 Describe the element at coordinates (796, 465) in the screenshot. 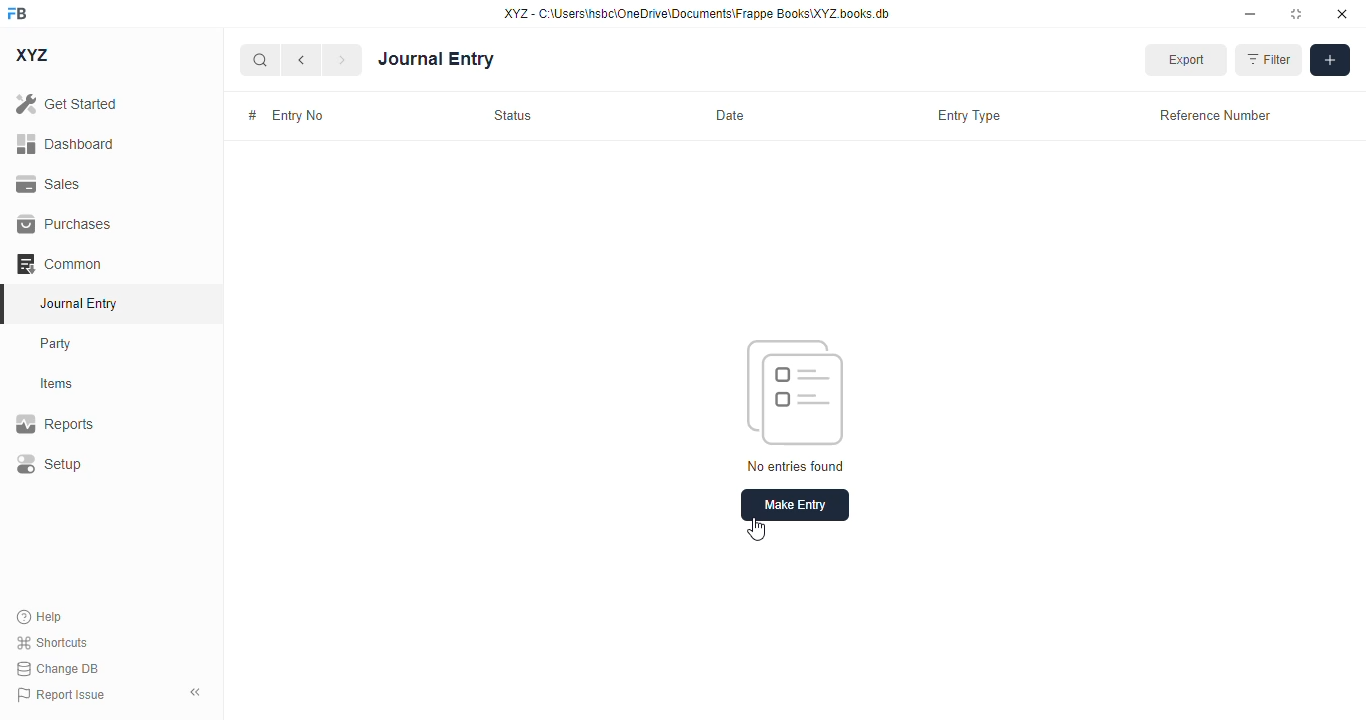

I see `no entries found` at that location.